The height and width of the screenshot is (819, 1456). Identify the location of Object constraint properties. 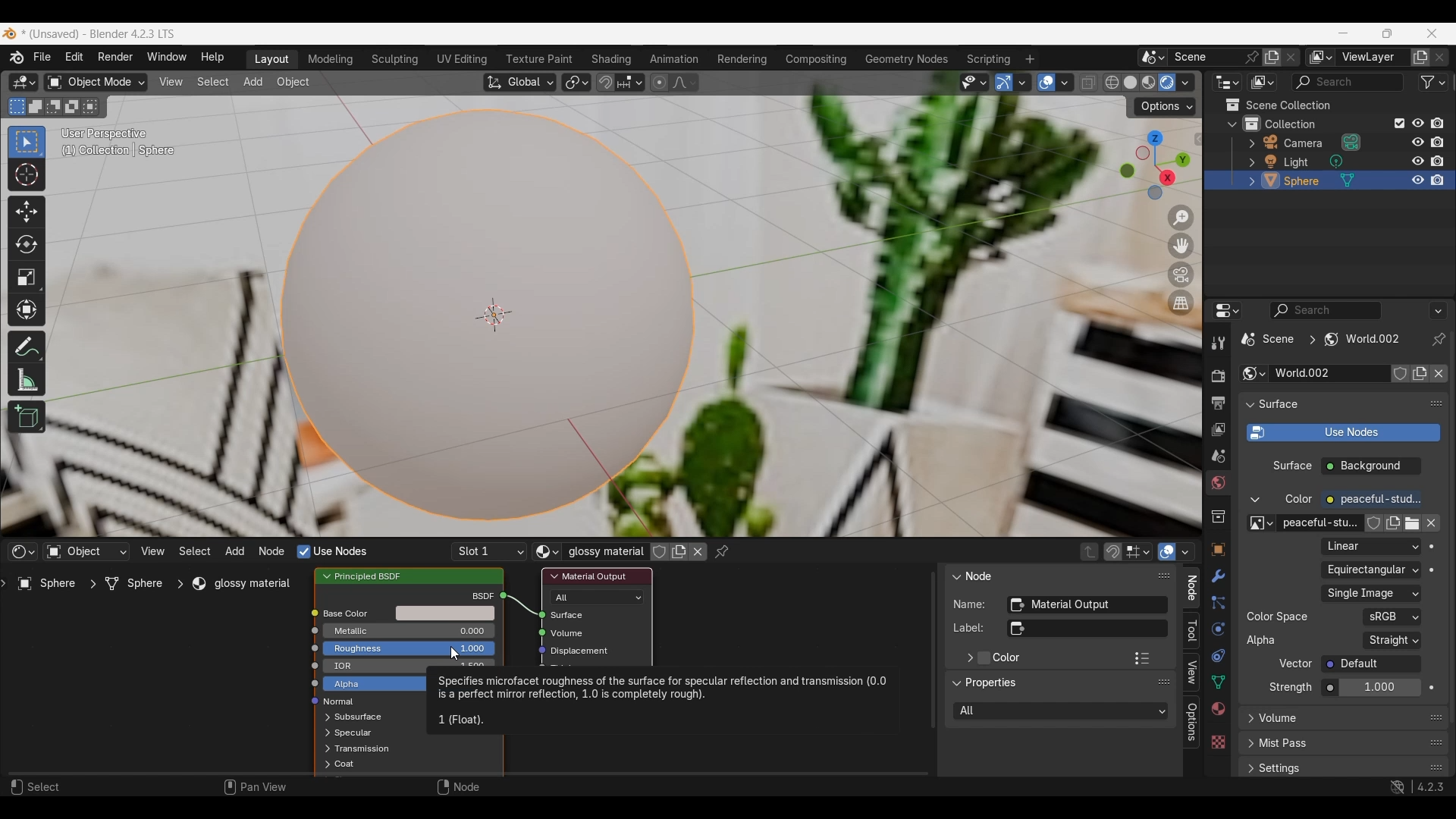
(1217, 655).